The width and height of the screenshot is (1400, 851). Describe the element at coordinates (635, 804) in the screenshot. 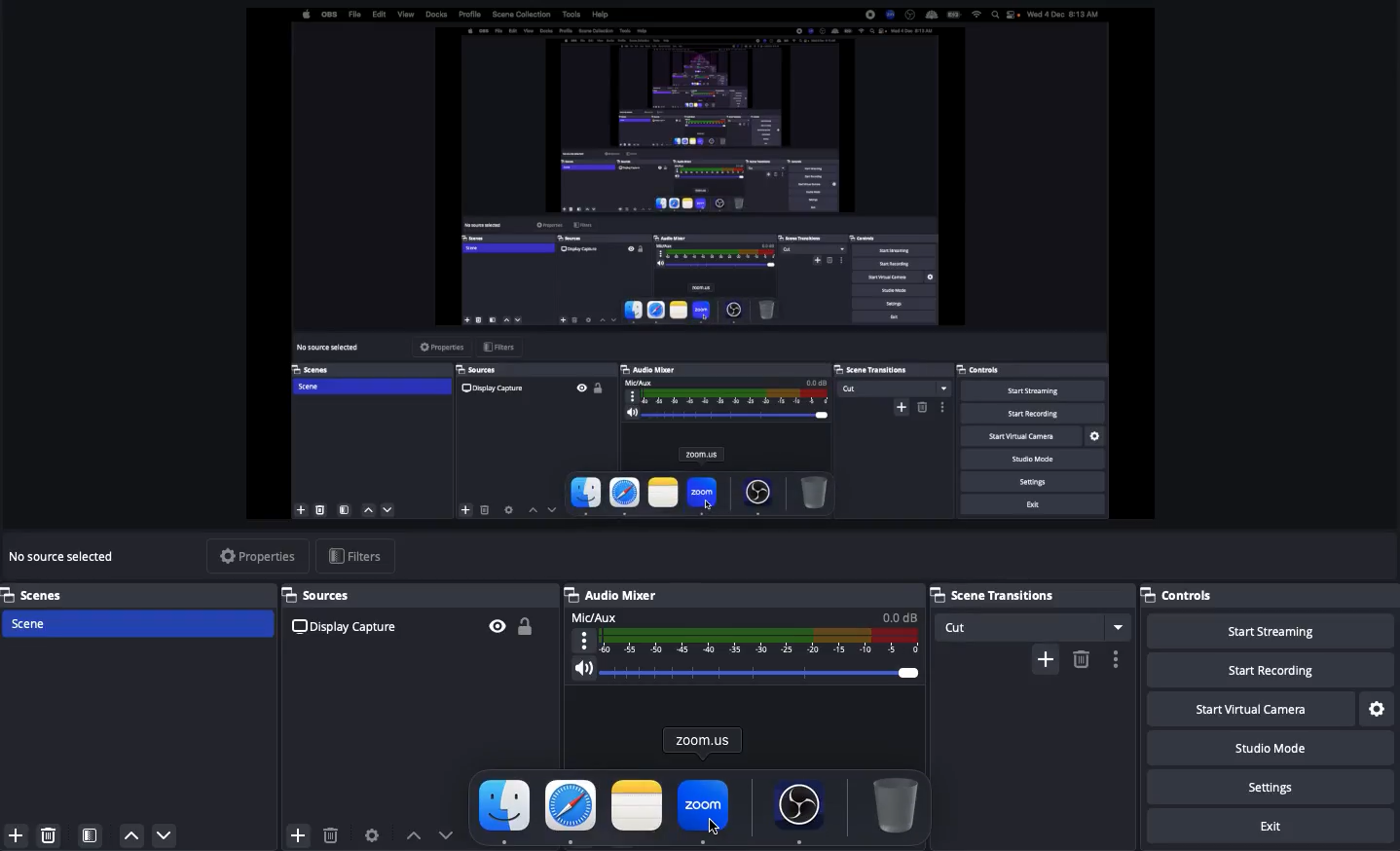

I see `Notes` at that location.